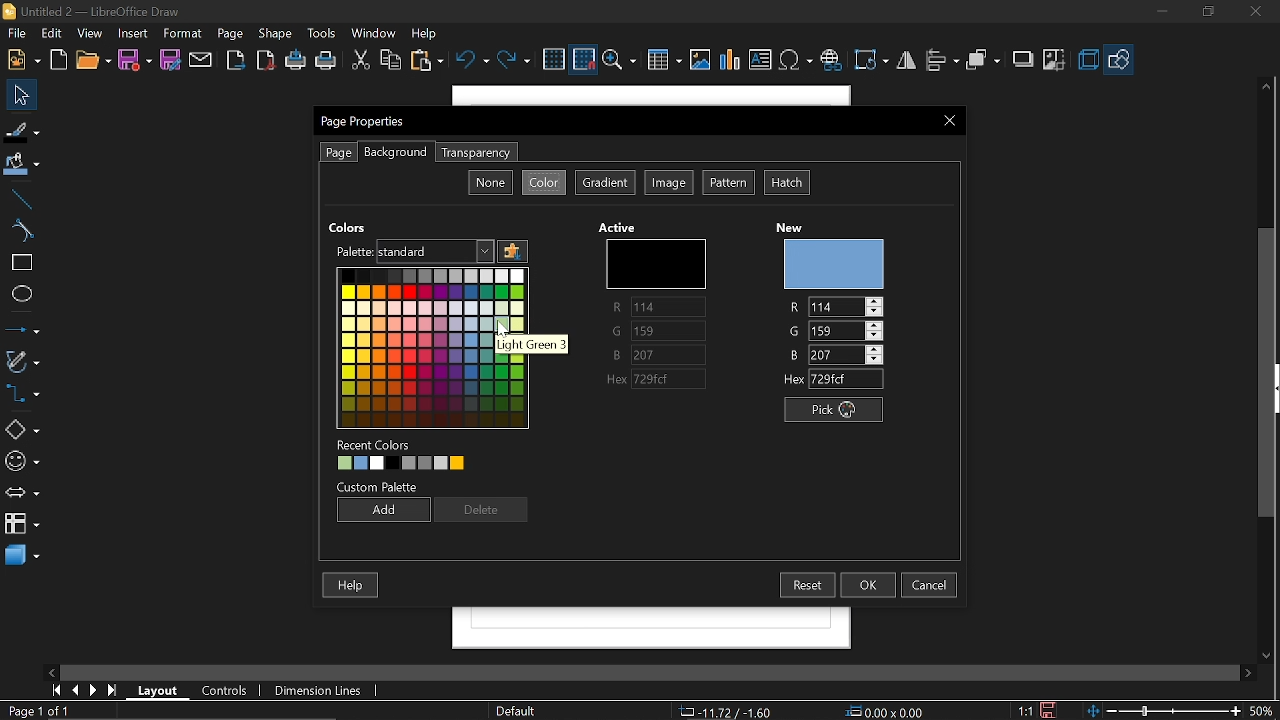  I want to click on Curves and polygons, so click(22, 364).